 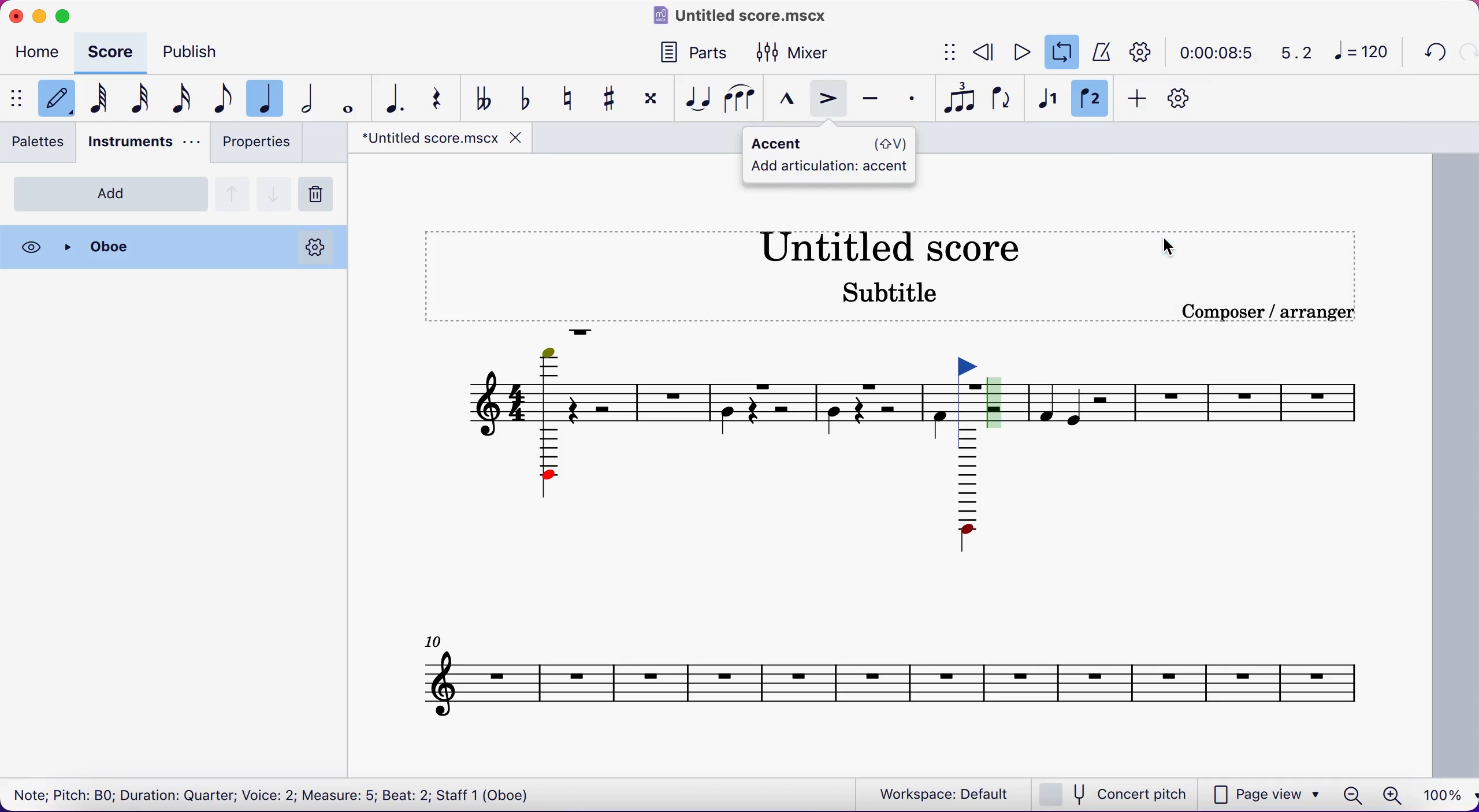 I want to click on playback loop, so click(x=1063, y=53).